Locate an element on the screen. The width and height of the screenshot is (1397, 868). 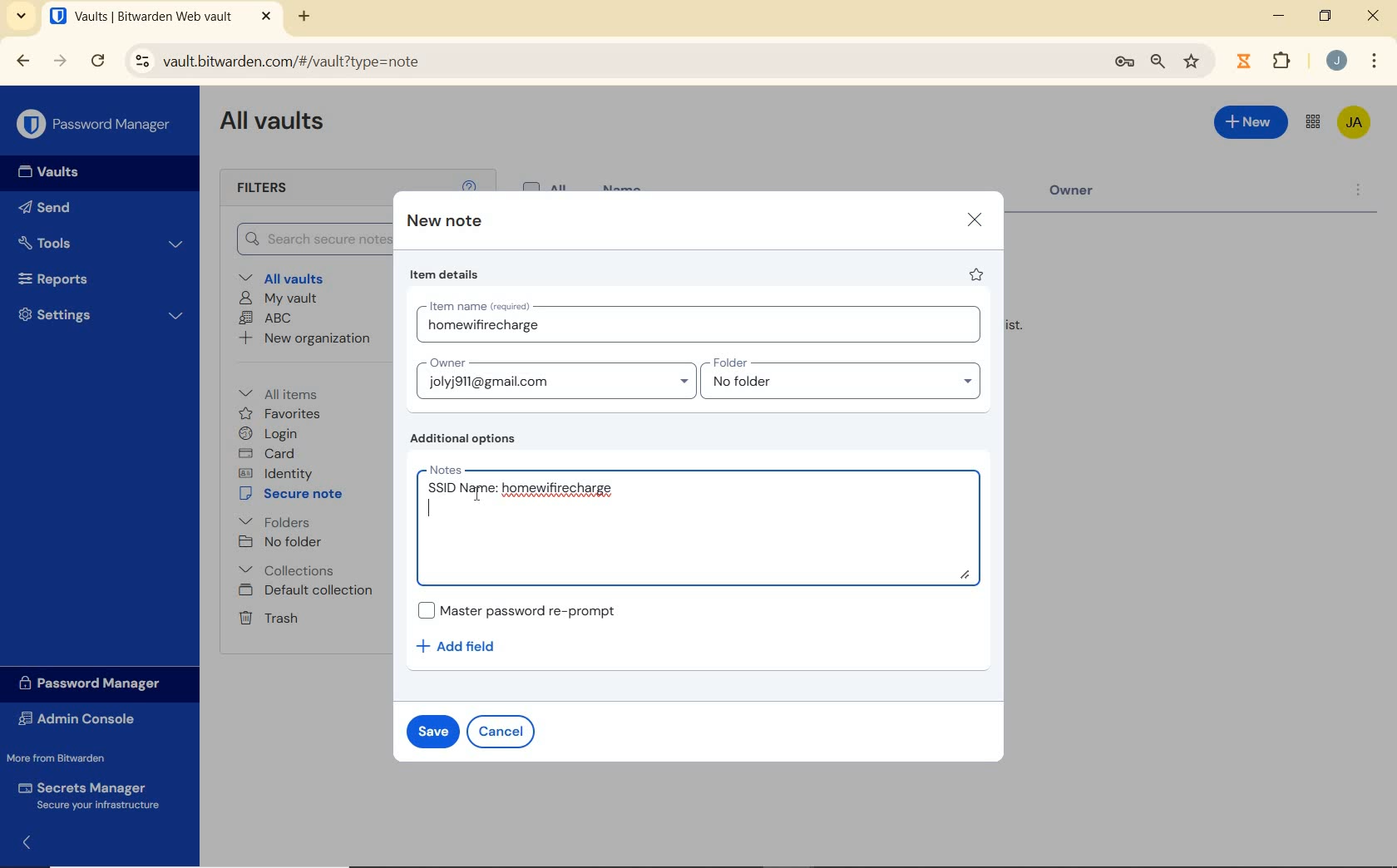
folder is located at coordinates (842, 378).